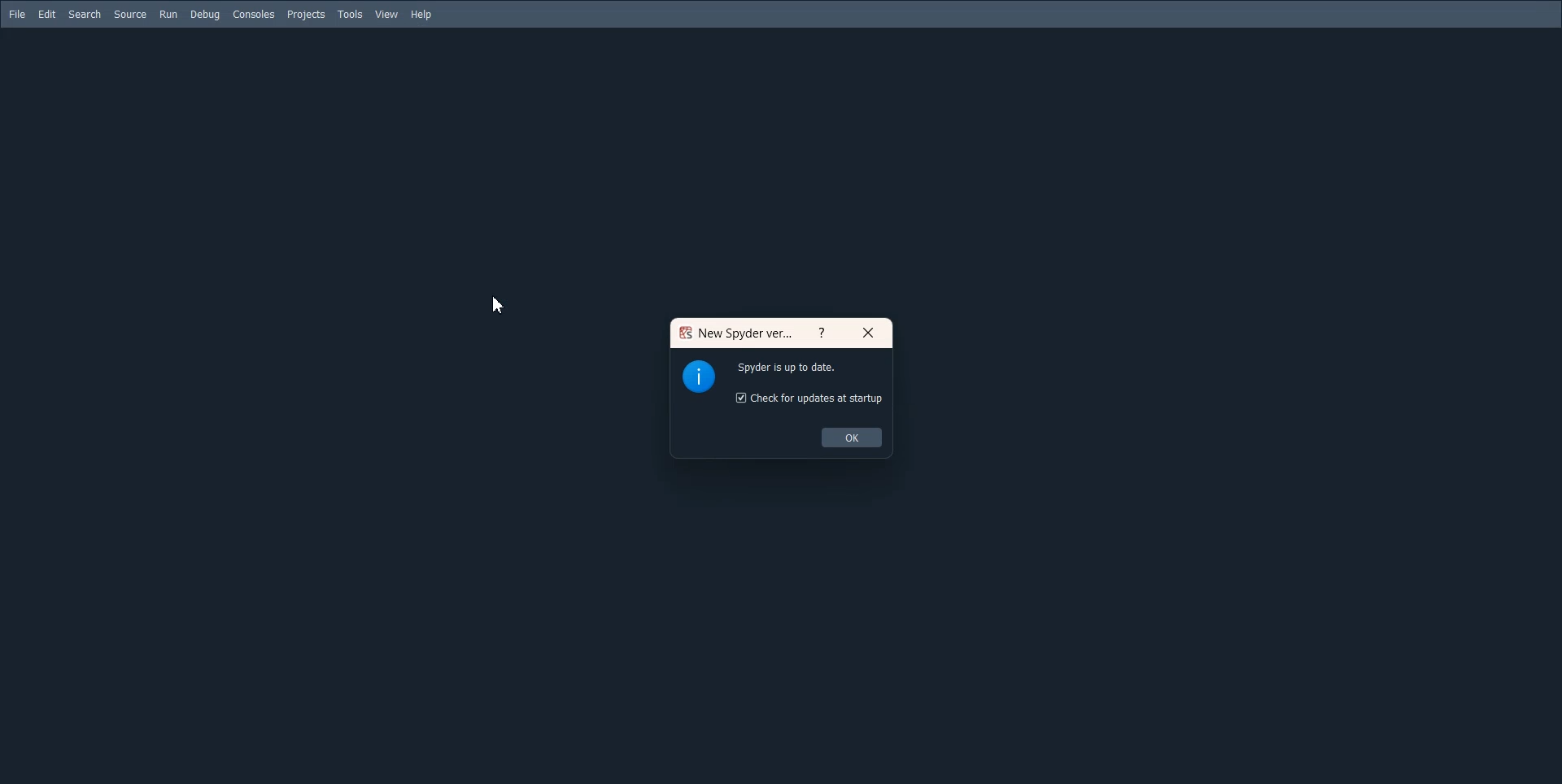 The height and width of the screenshot is (784, 1562). Describe the element at coordinates (699, 375) in the screenshot. I see `Logo` at that location.